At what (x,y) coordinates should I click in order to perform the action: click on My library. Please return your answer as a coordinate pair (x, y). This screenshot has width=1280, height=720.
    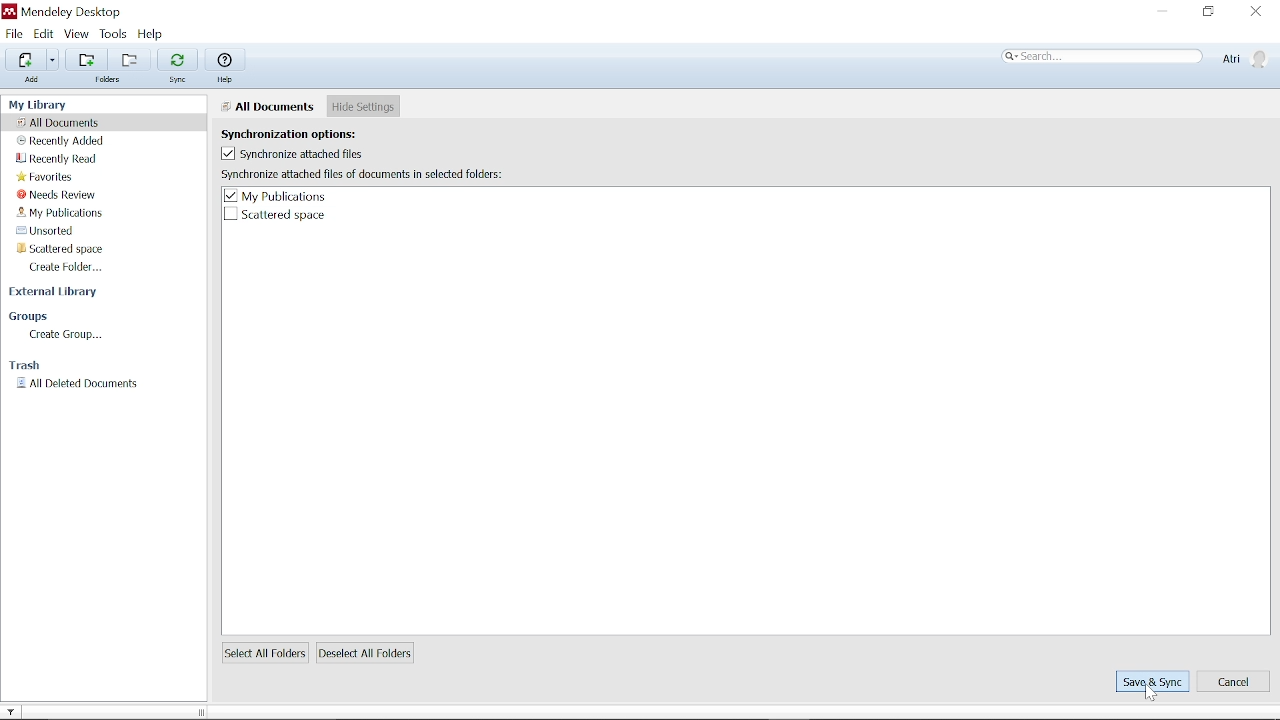
    Looking at the image, I should click on (42, 103).